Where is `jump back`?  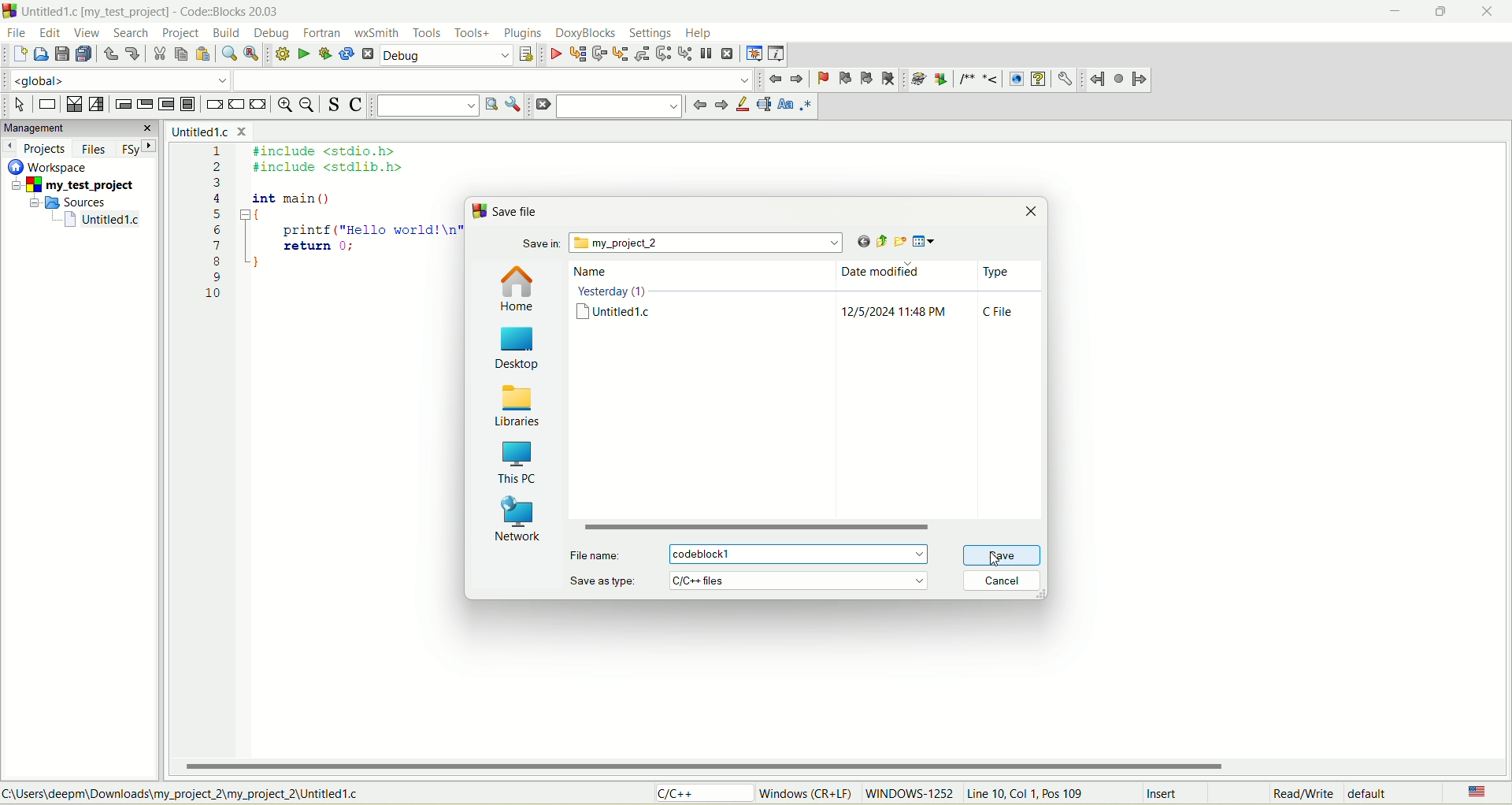 jump back is located at coordinates (1097, 80).